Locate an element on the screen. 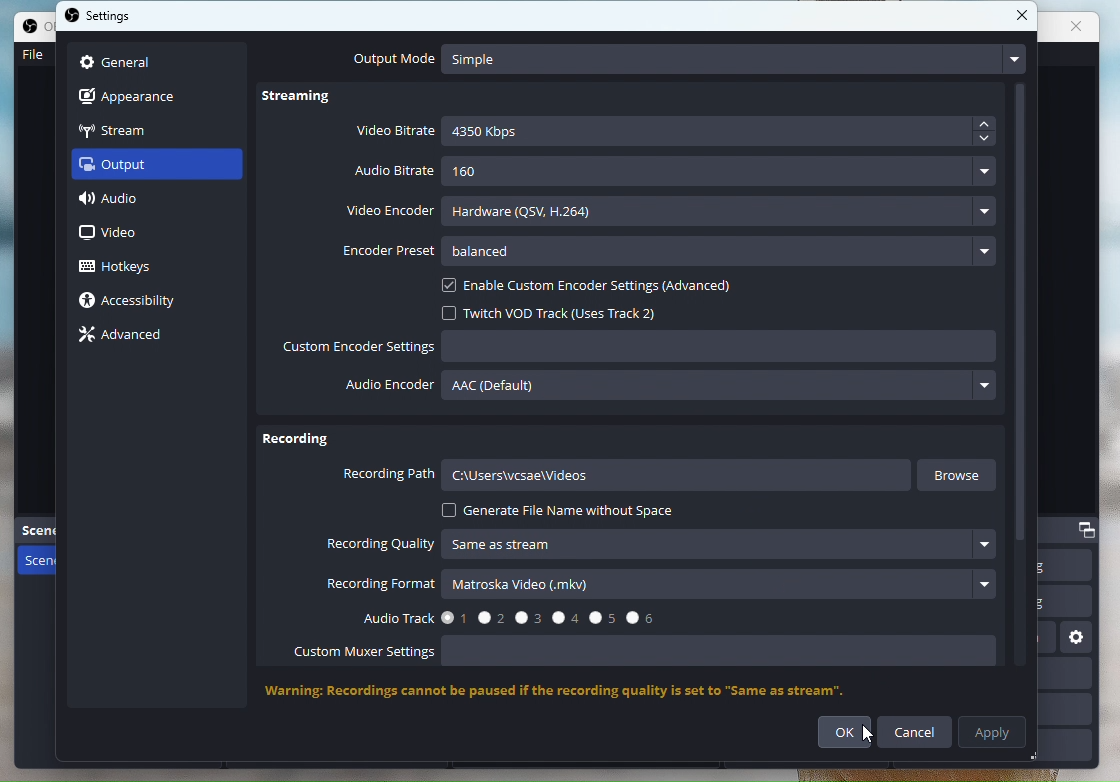  Recording path is located at coordinates (626, 478).